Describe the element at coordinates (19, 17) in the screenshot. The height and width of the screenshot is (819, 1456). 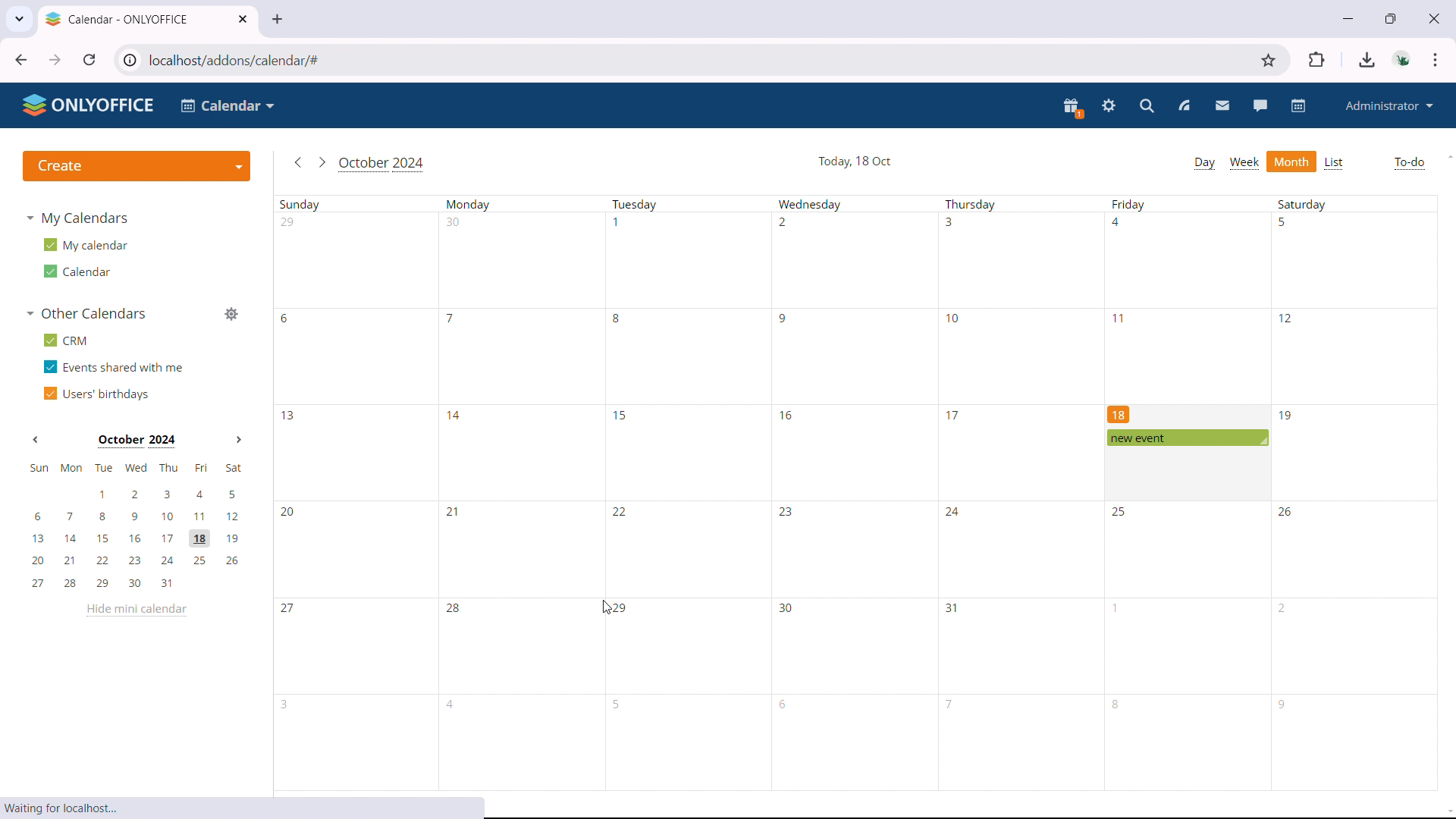
I see `search tabs` at that location.